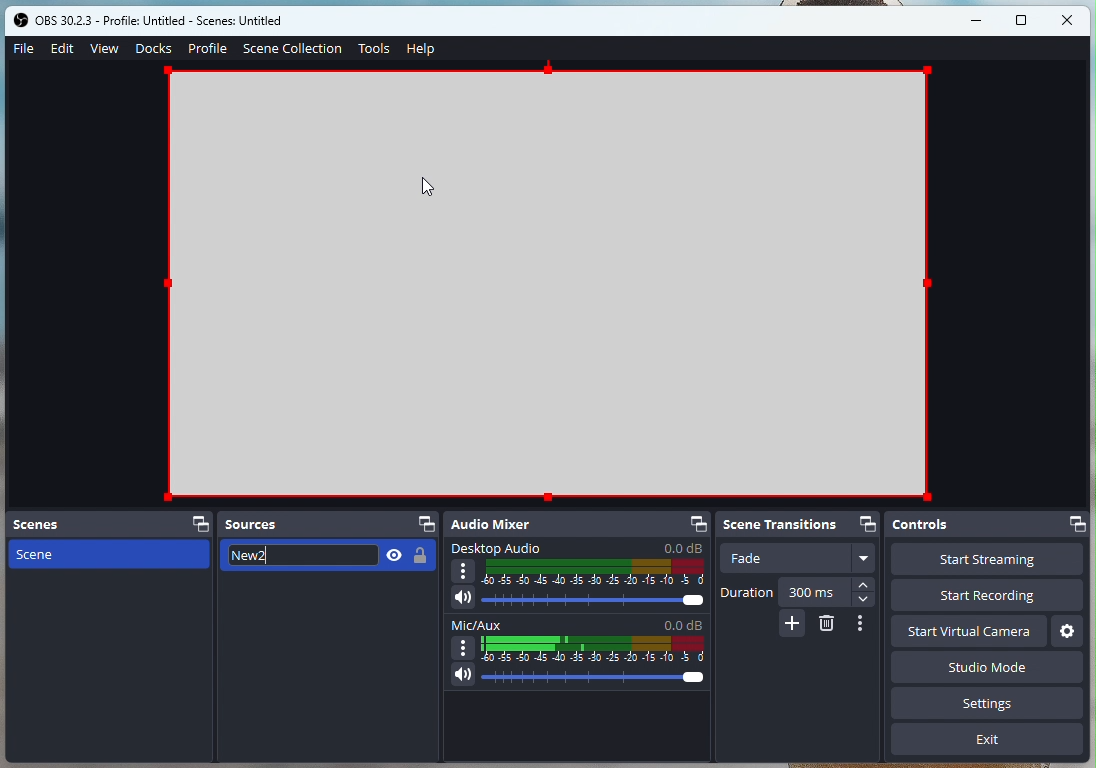  What do you see at coordinates (420, 50) in the screenshot?
I see `Help` at bounding box center [420, 50].